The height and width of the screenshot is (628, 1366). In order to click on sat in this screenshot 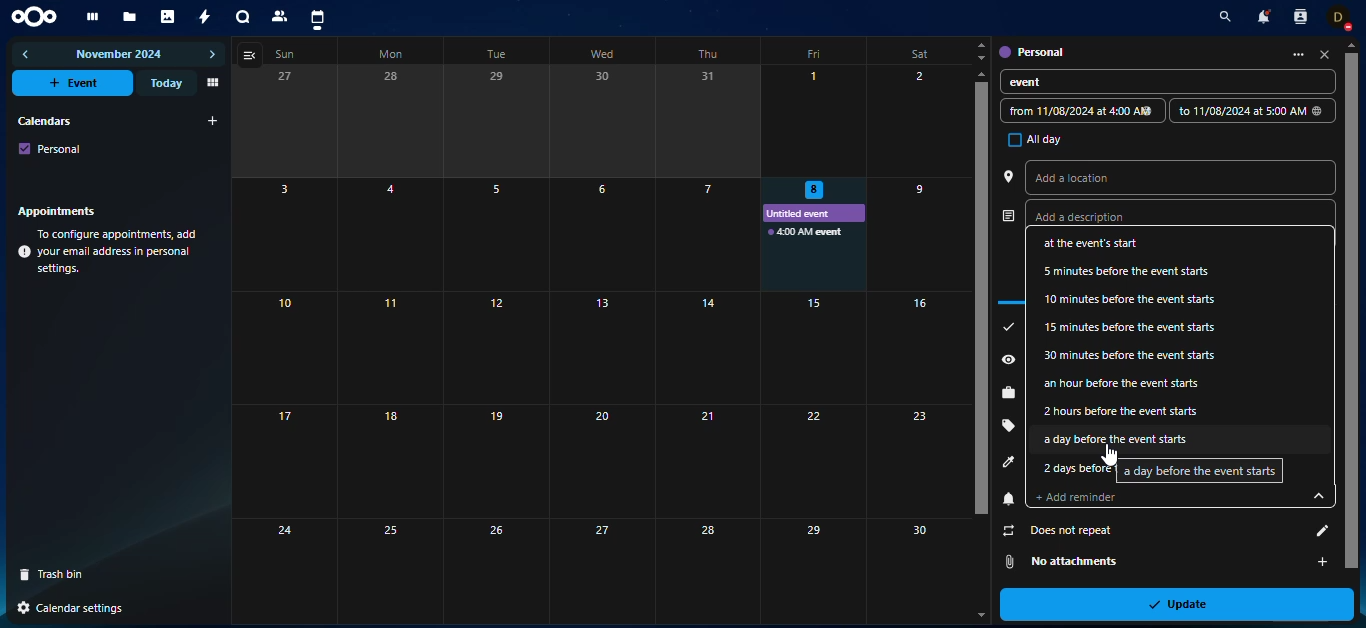, I will do `click(912, 52)`.